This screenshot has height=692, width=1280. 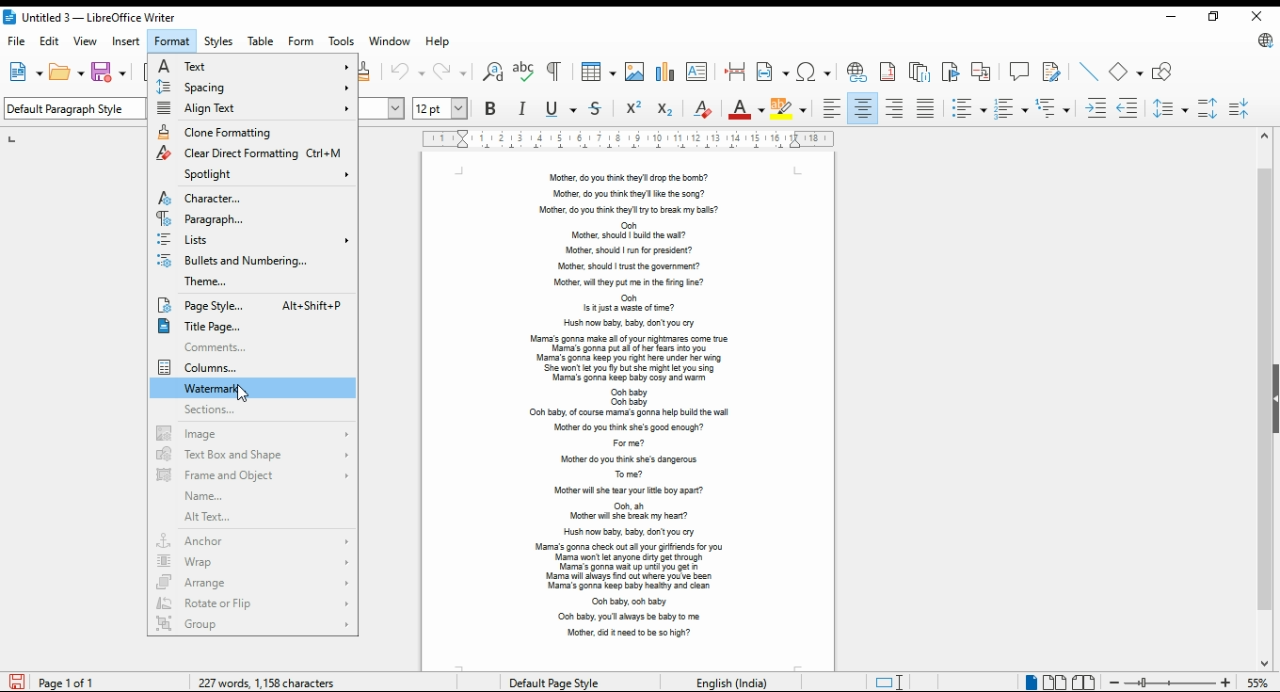 What do you see at coordinates (242, 396) in the screenshot?
I see `cursor` at bounding box center [242, 396].